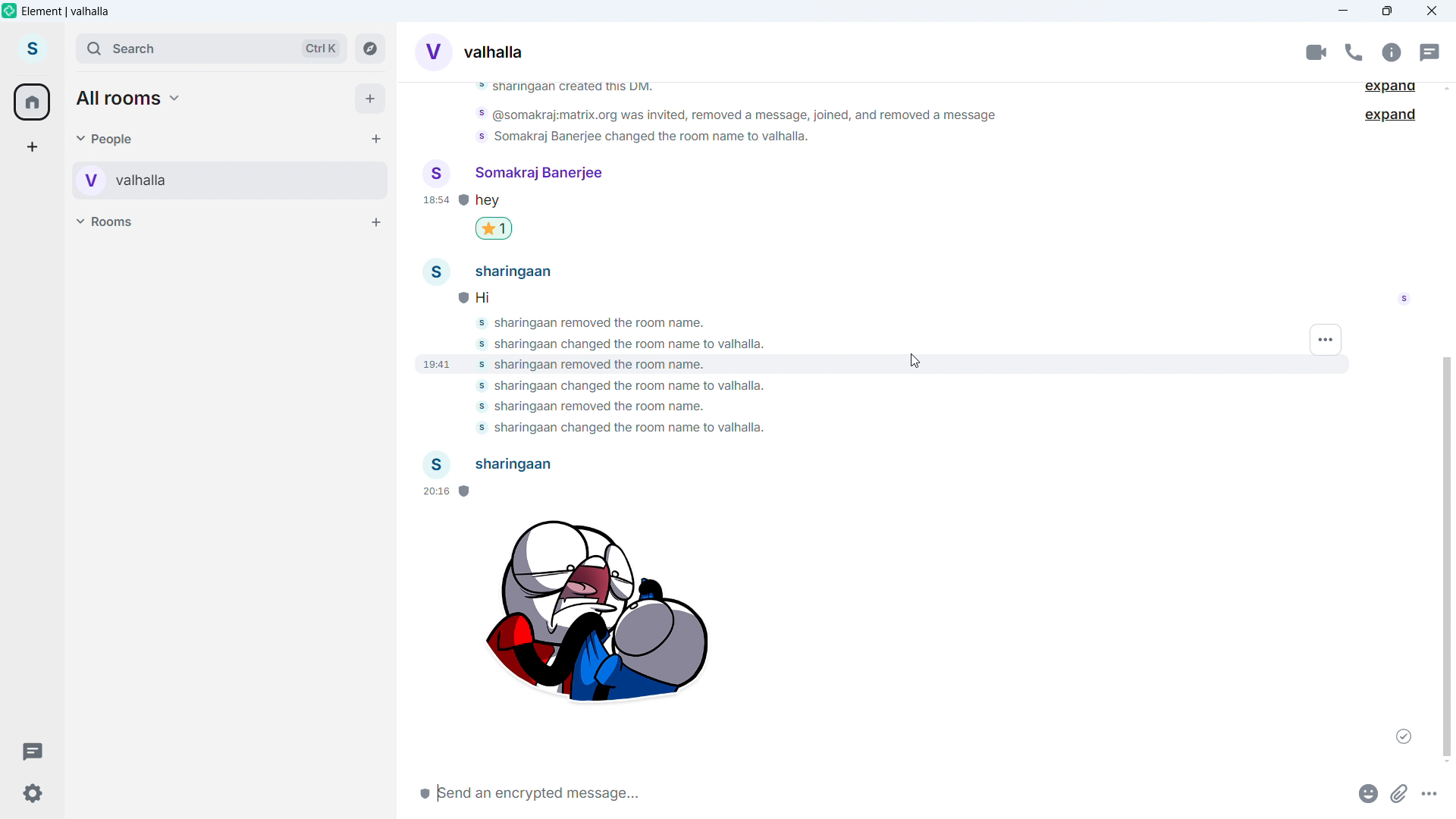 The width and height of the screenshot is (1456, 819). I want to click on somakraj banerjee removed the room name, so click(592, 408).